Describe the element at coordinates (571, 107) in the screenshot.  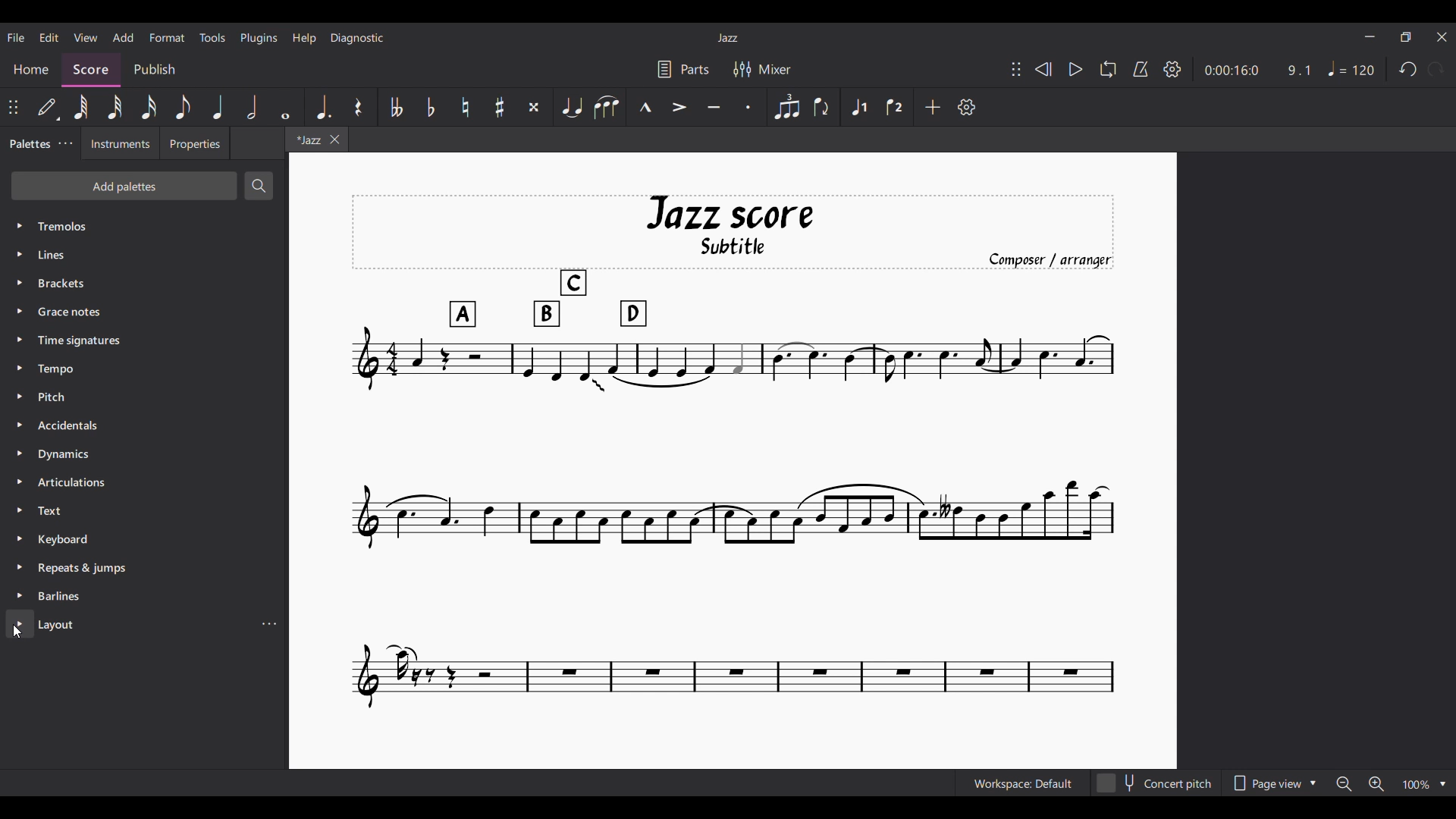
I see `Tie` at that location.